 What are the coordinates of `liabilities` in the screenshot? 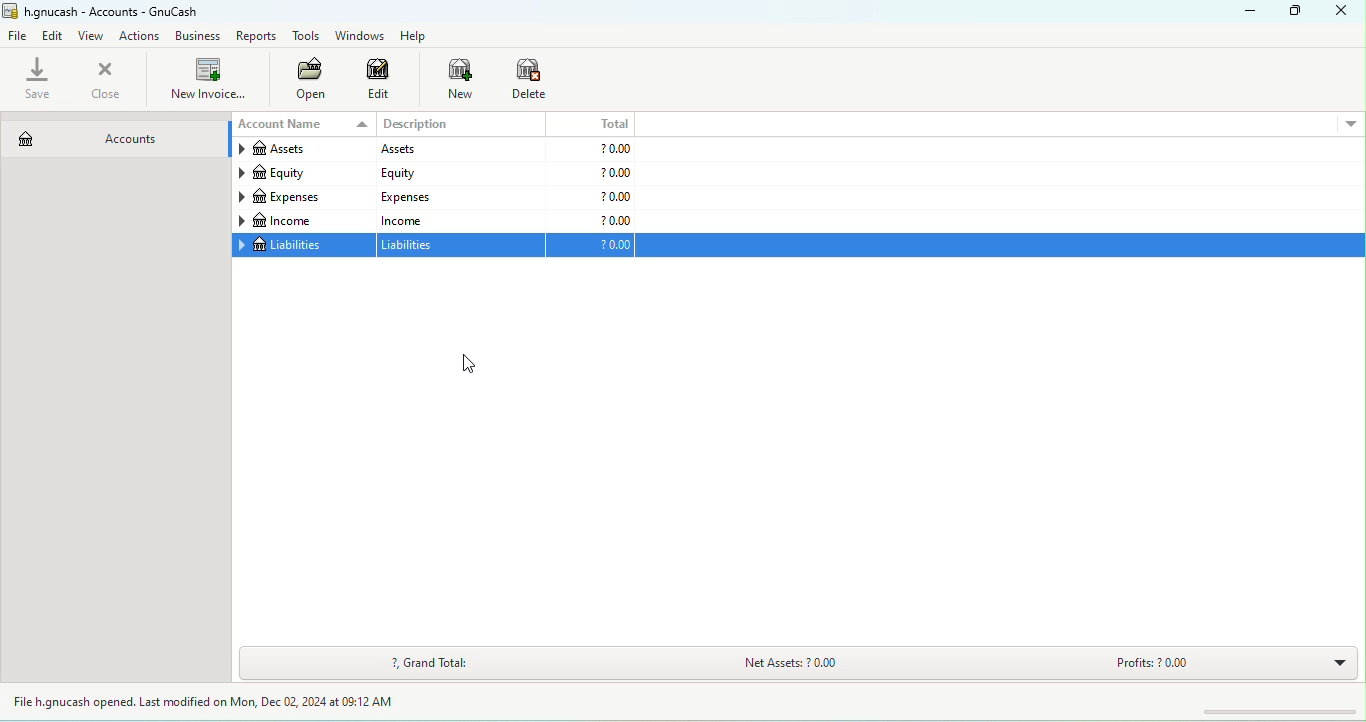 It's located at (302, 246).